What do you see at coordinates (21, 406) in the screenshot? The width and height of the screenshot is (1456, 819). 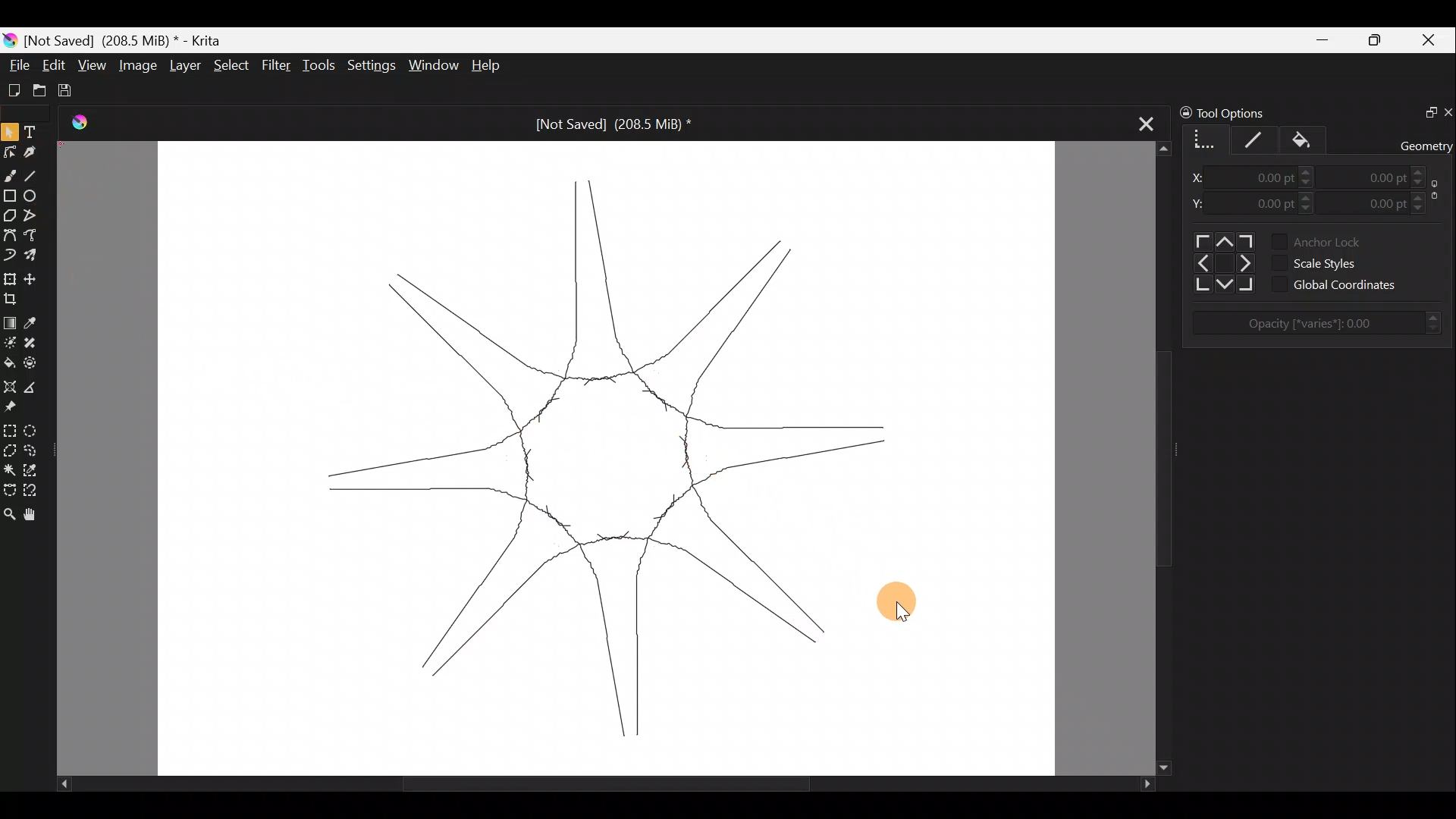 I see `Reference images tool` at bounding box center [21, 406].